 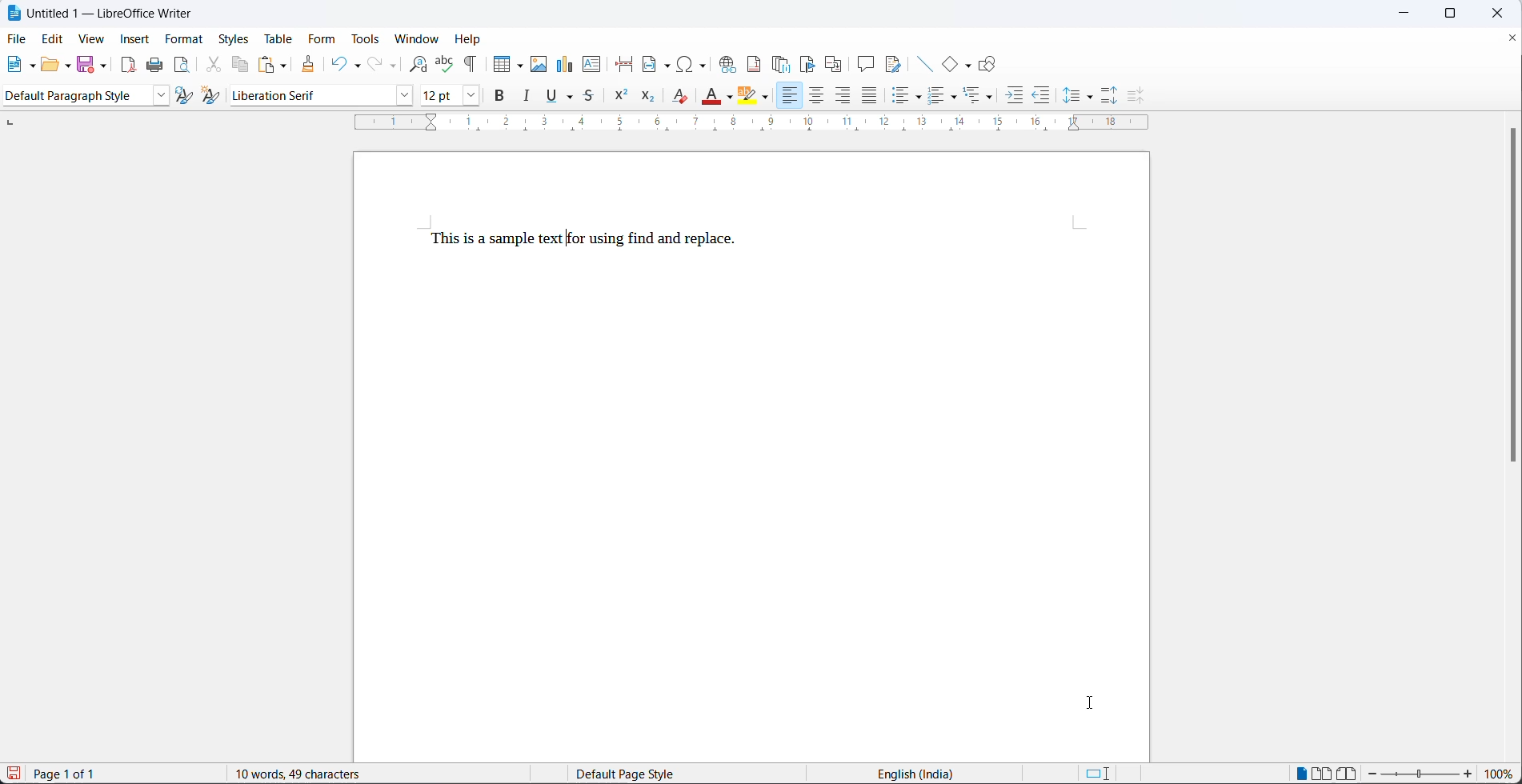 I want to click on toggle ordered list options, so click(x=956, y=98).